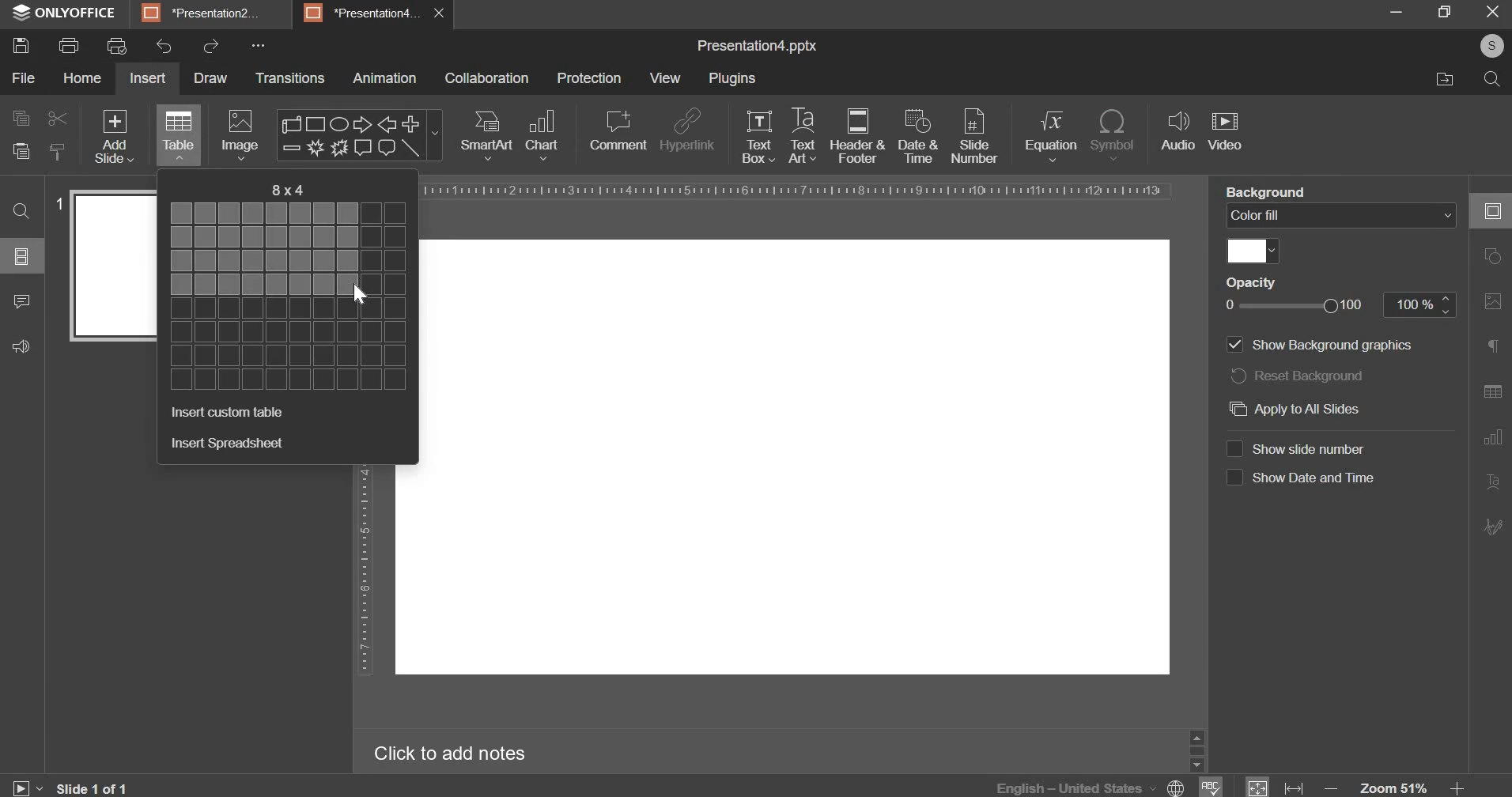  What do you see at coordinates (1399, 11) in the screenshot?
I see `minimize` at bounding box center [1399, 11].